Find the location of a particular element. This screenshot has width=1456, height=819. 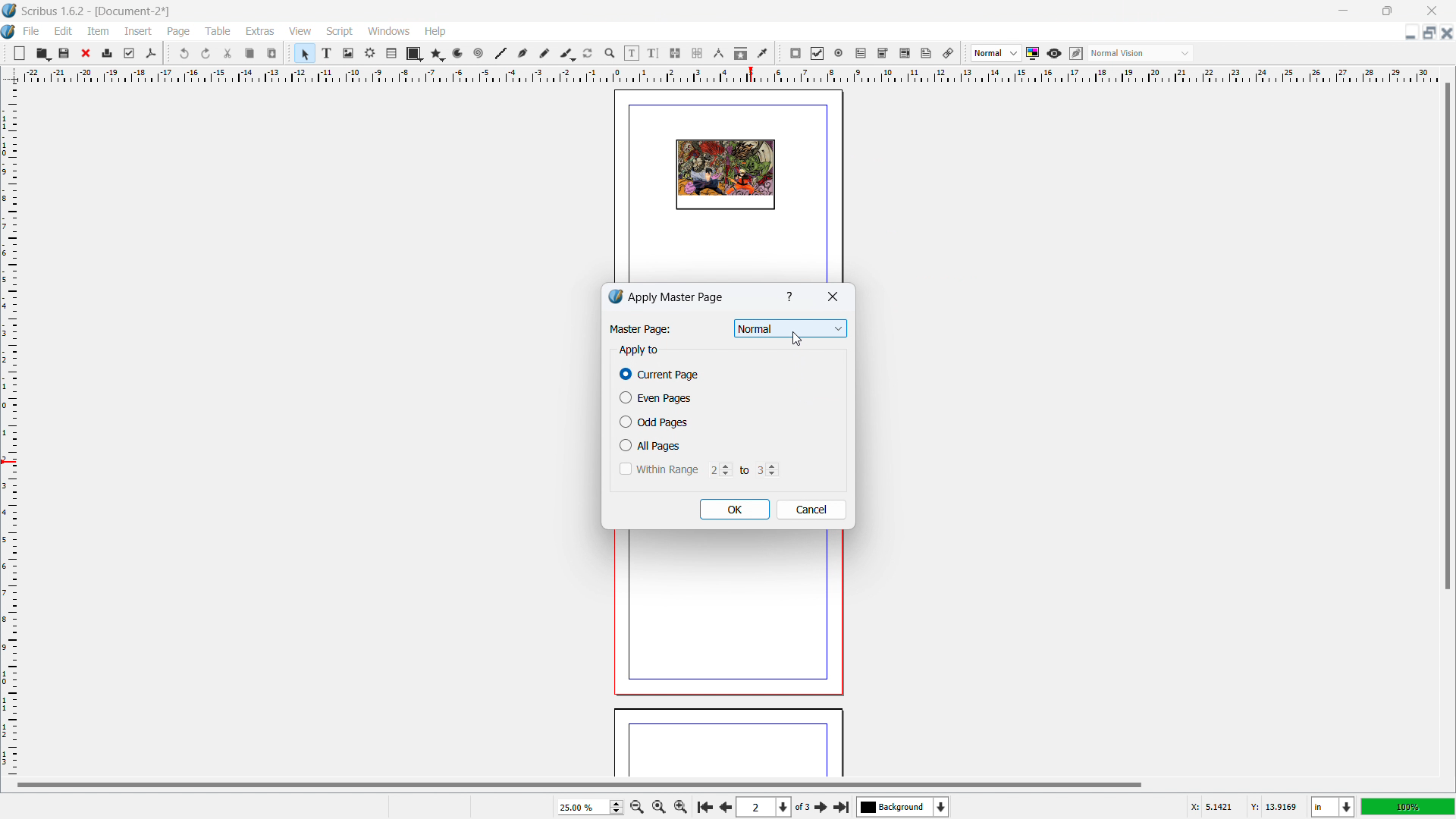

all pages checkbox is located at coordinates (652, 445).